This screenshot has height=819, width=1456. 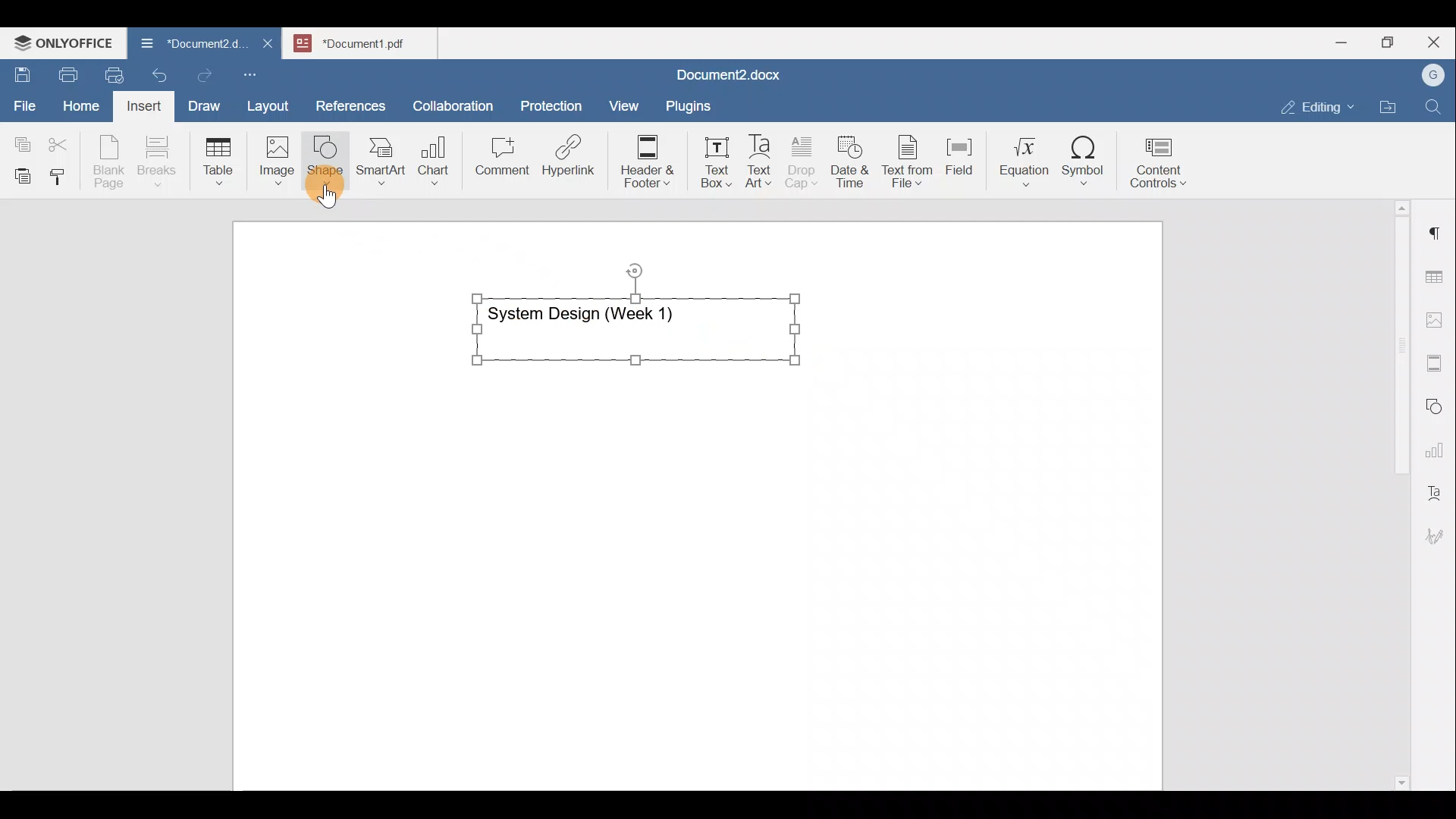 I want to click on File, so click(x=26, y=101).